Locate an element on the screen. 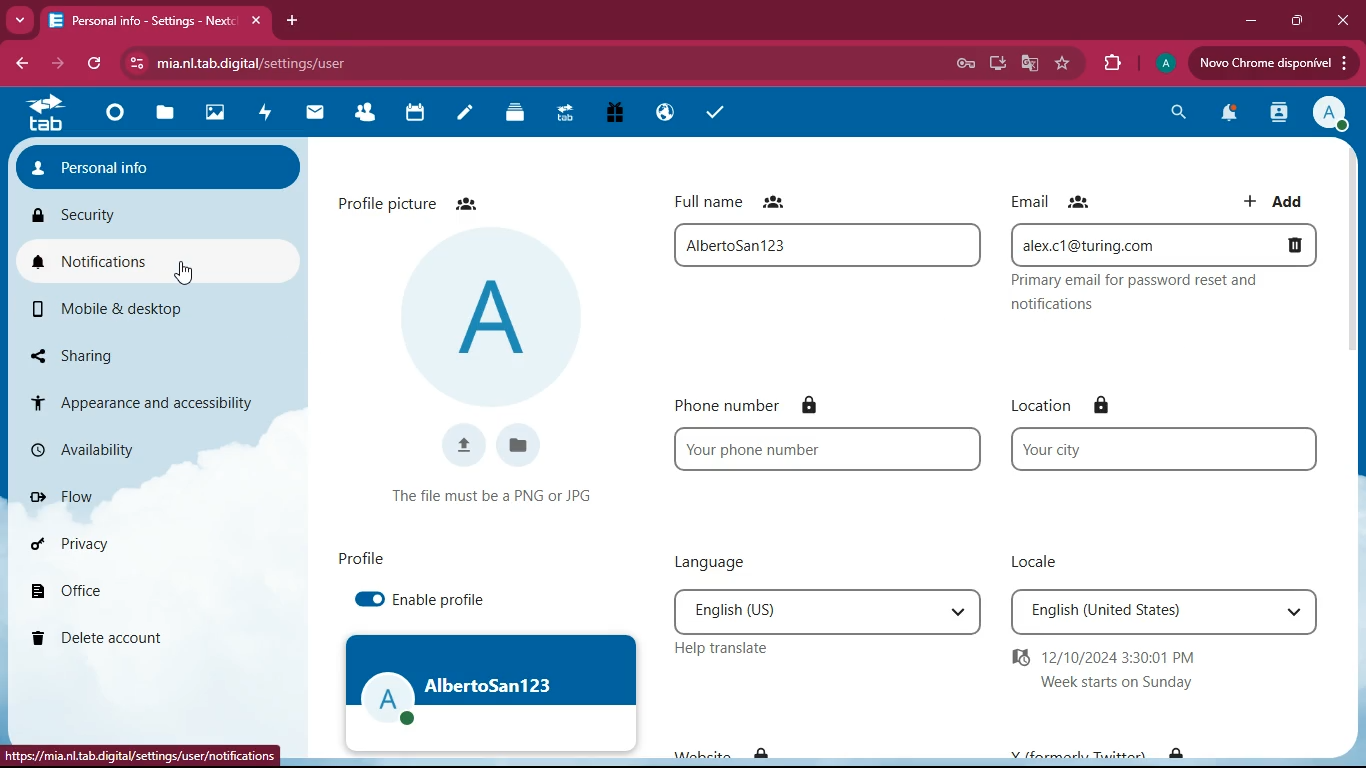  images is located at coordinates (215, 115).